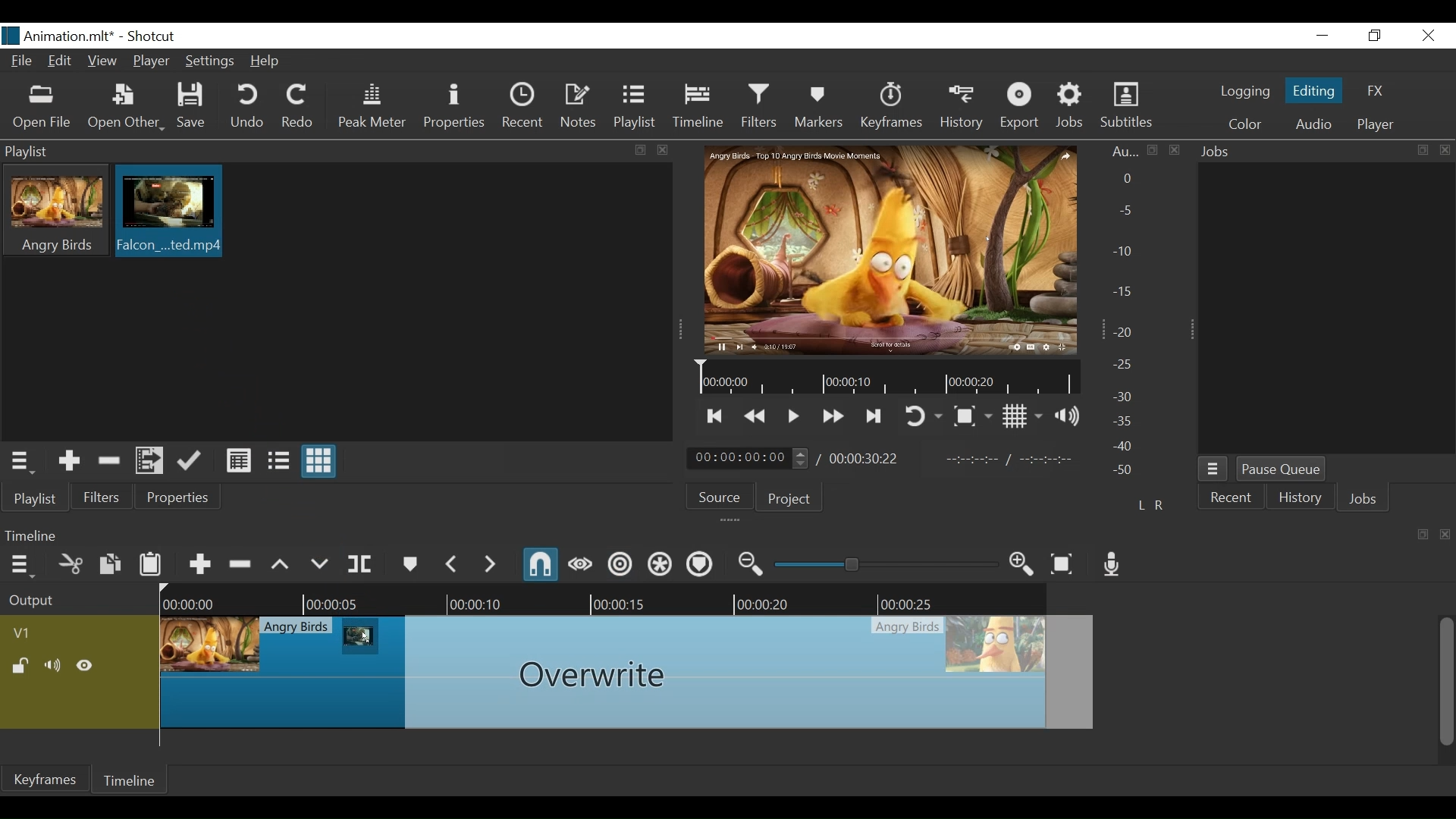 This screenshot has height=819, width=1456. What do you see at coordinates (134, 779) in the screenshot?
I see `Timeline` at bounding box center [134, 779].